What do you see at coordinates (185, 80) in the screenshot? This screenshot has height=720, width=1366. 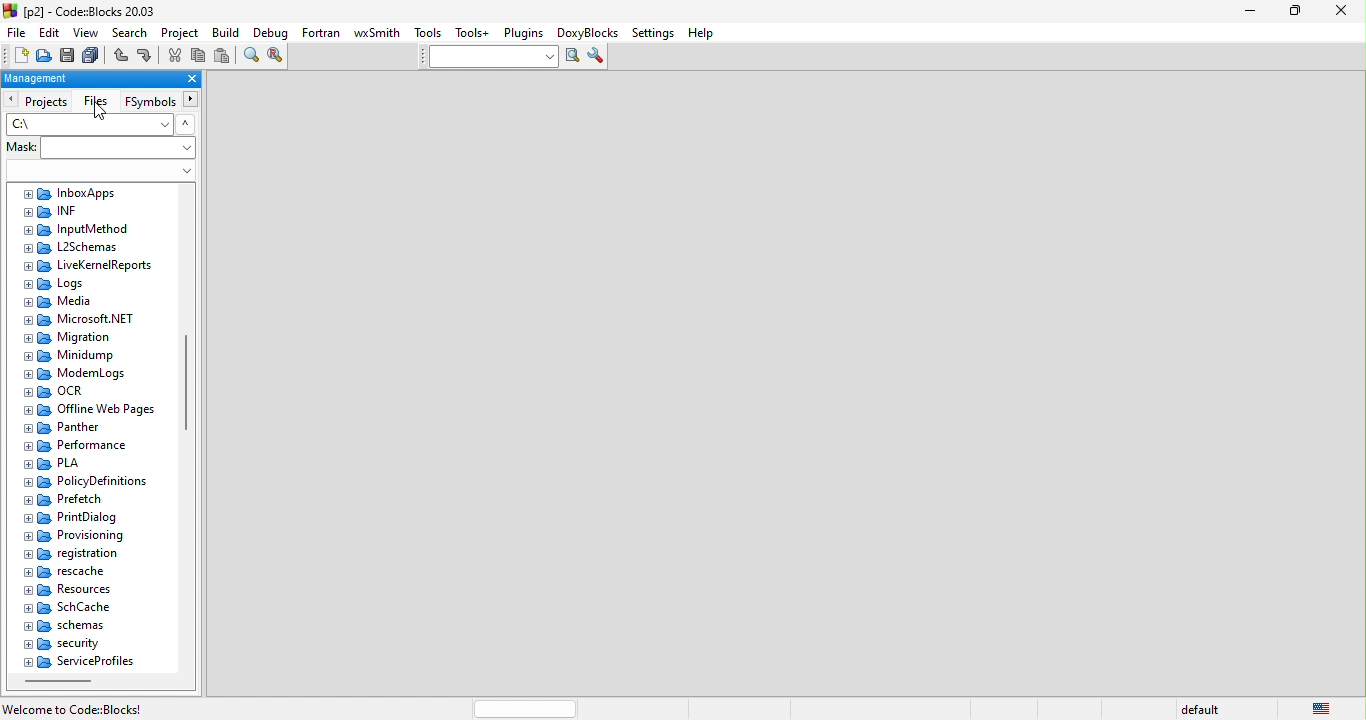 I see `close` at bounding box center [185, 80].